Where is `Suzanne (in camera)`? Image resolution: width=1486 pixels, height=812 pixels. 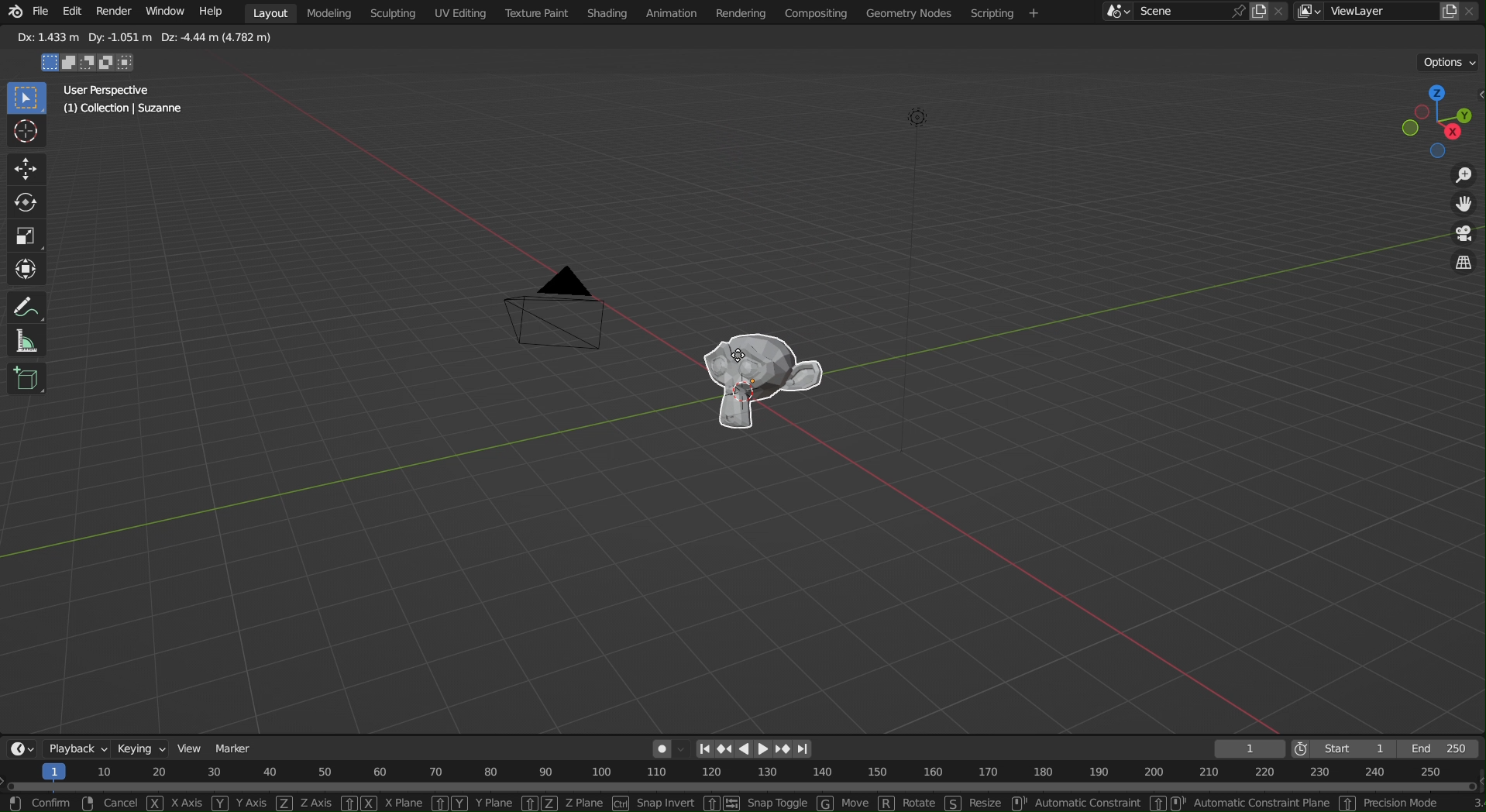
Suzanne (in camera) is located at coordinates (765, 383).